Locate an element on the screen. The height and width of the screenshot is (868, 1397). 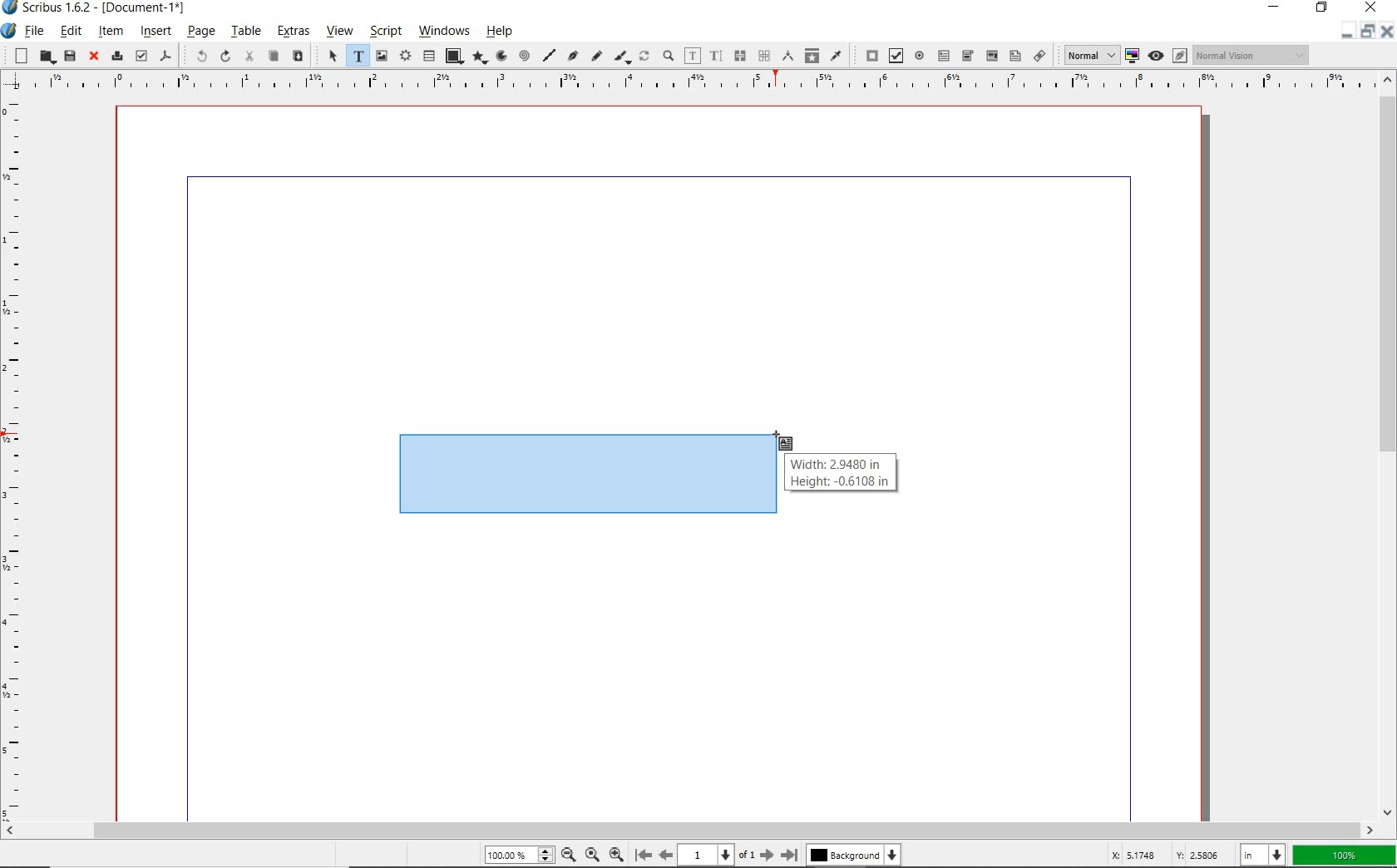
link text frames is located at coordinates (738, 56).